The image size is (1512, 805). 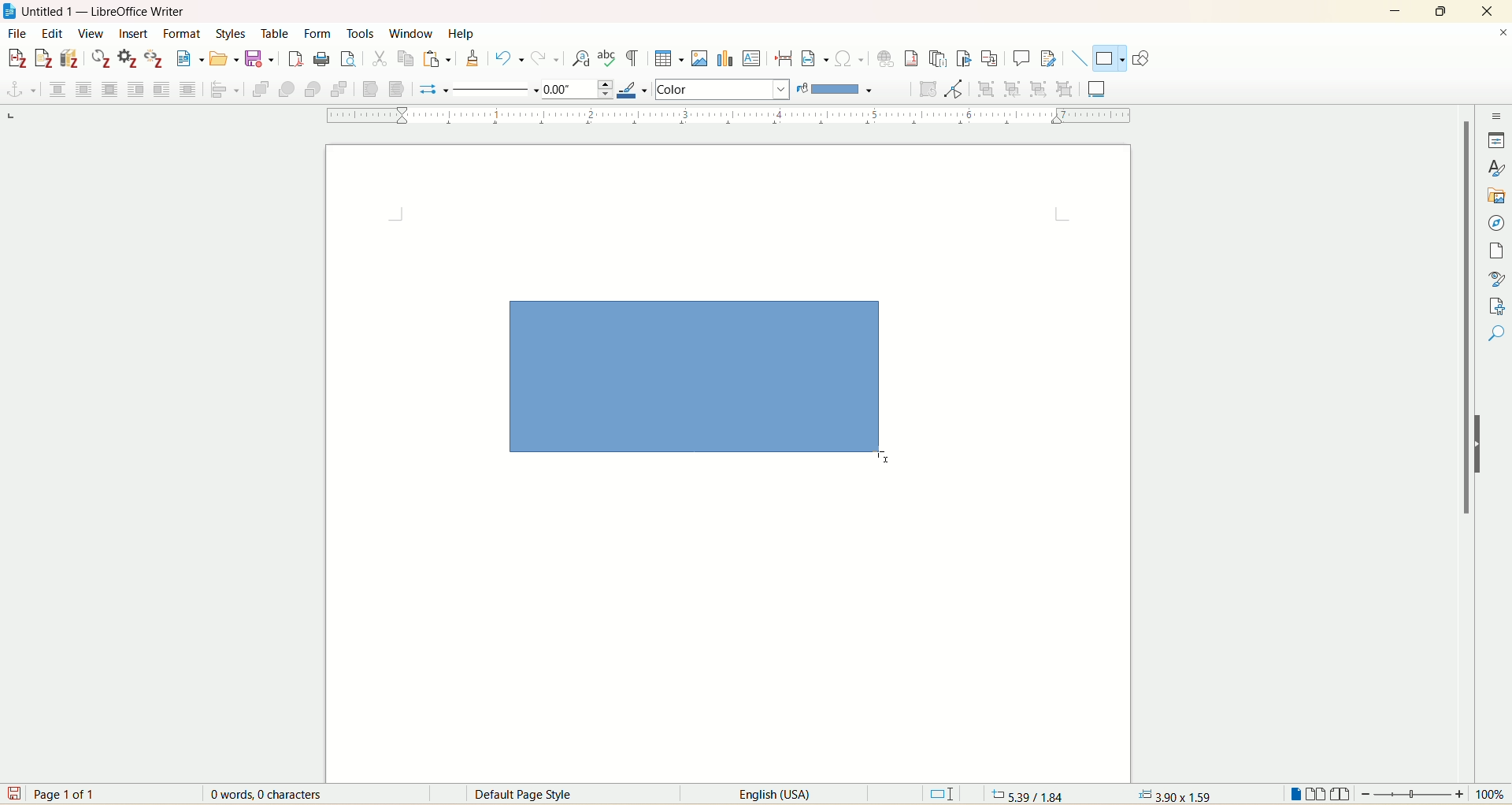 What do you see at coordinates (437, 59) in the screenshot?
I see `paste` at bounding box center [437, 59].